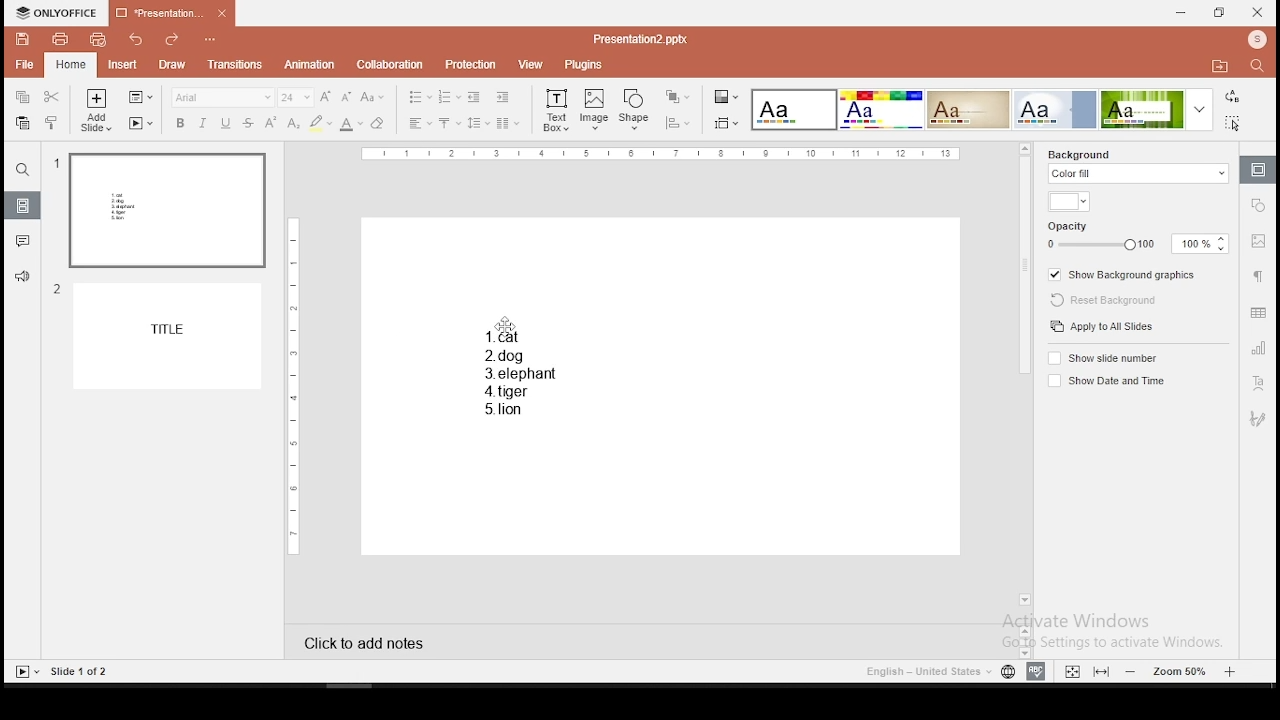 This screenshot has height=720, width=1280. What do you see at coordinates (1220, 13) in the screenshot?
I see `restore` at bounding box center [1220, 13].